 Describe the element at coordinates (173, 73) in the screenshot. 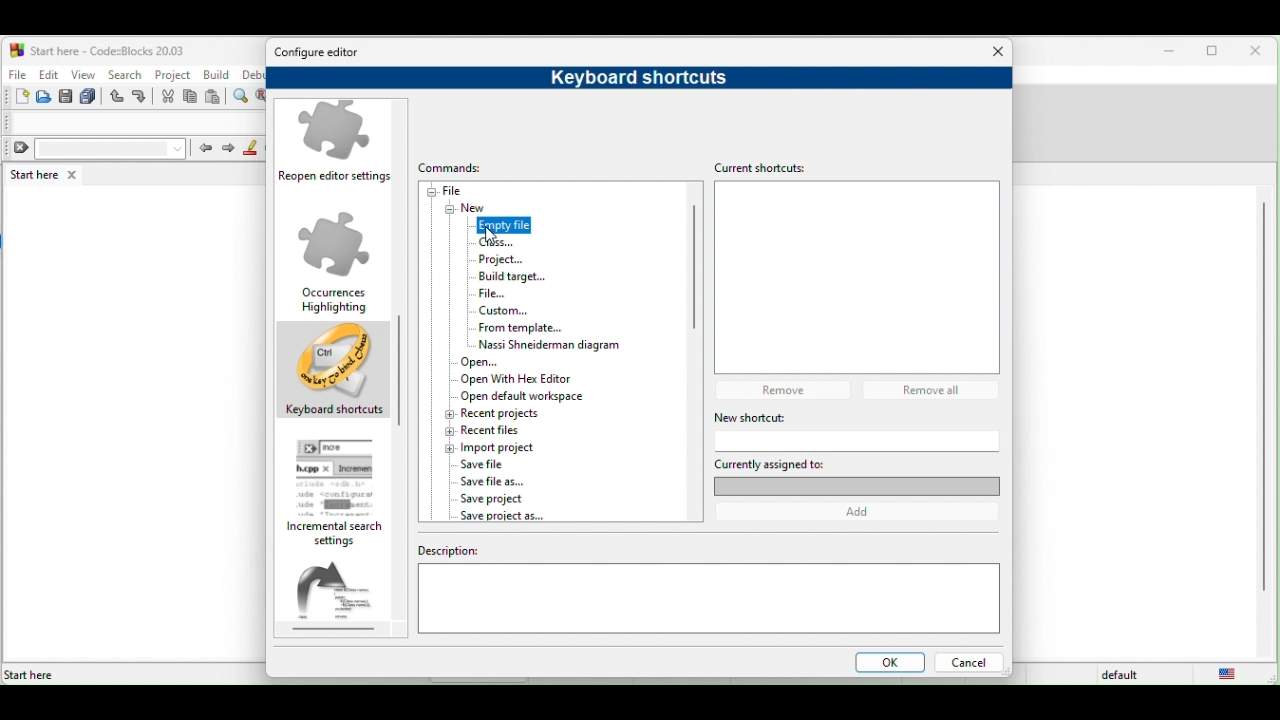

I see `project` at that location.